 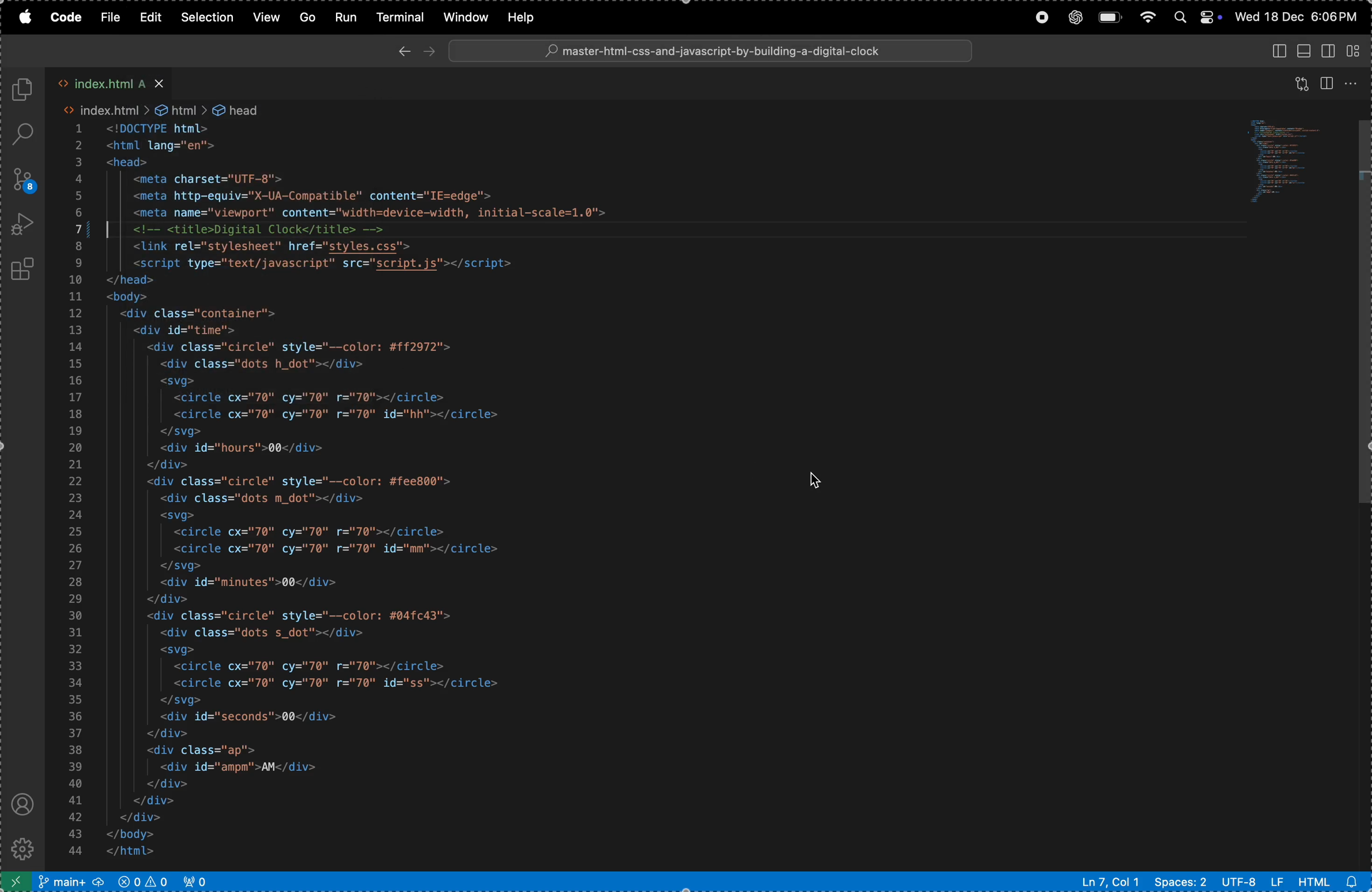 What do you see at coordinates (1038, 17) in the screenshot?
I see `record` at bounding box center [1038, 17].